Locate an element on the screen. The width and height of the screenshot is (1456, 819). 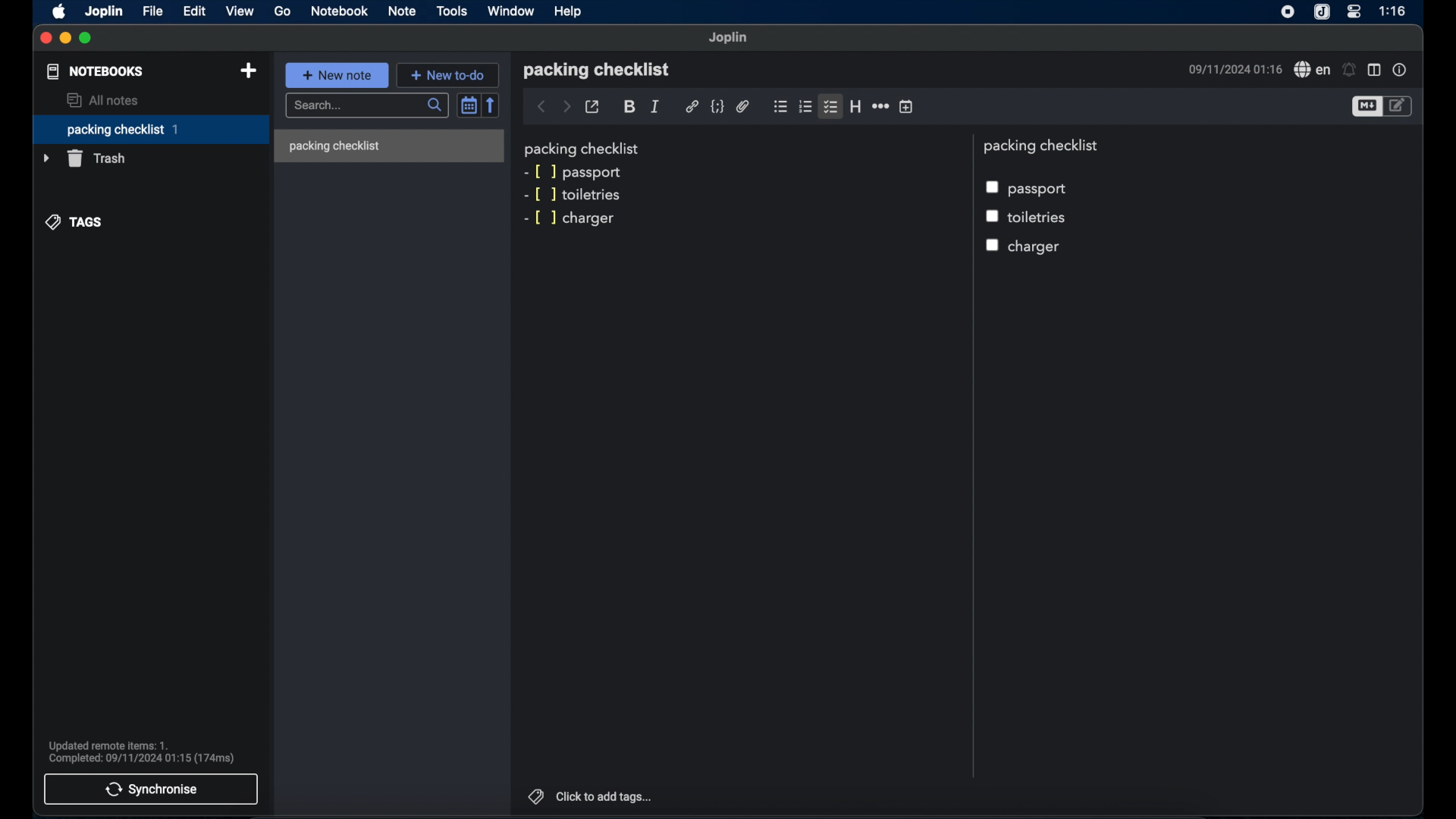
trash is located at coordinates (86, 158).